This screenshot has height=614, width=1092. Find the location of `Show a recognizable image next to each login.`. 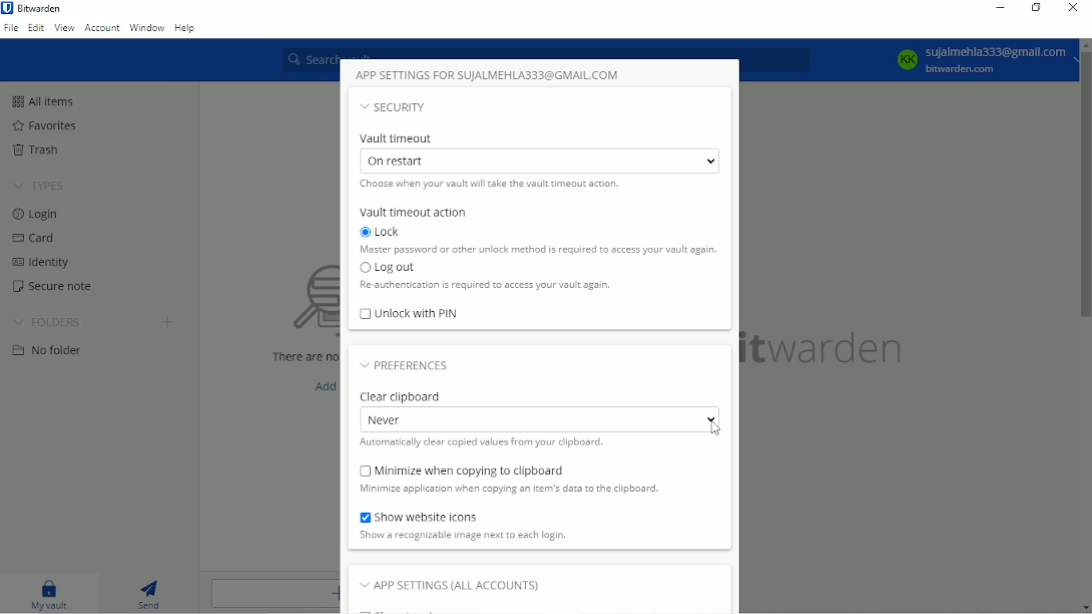

Show a recognizable image next to each login. is located at coordinates (465, 537).